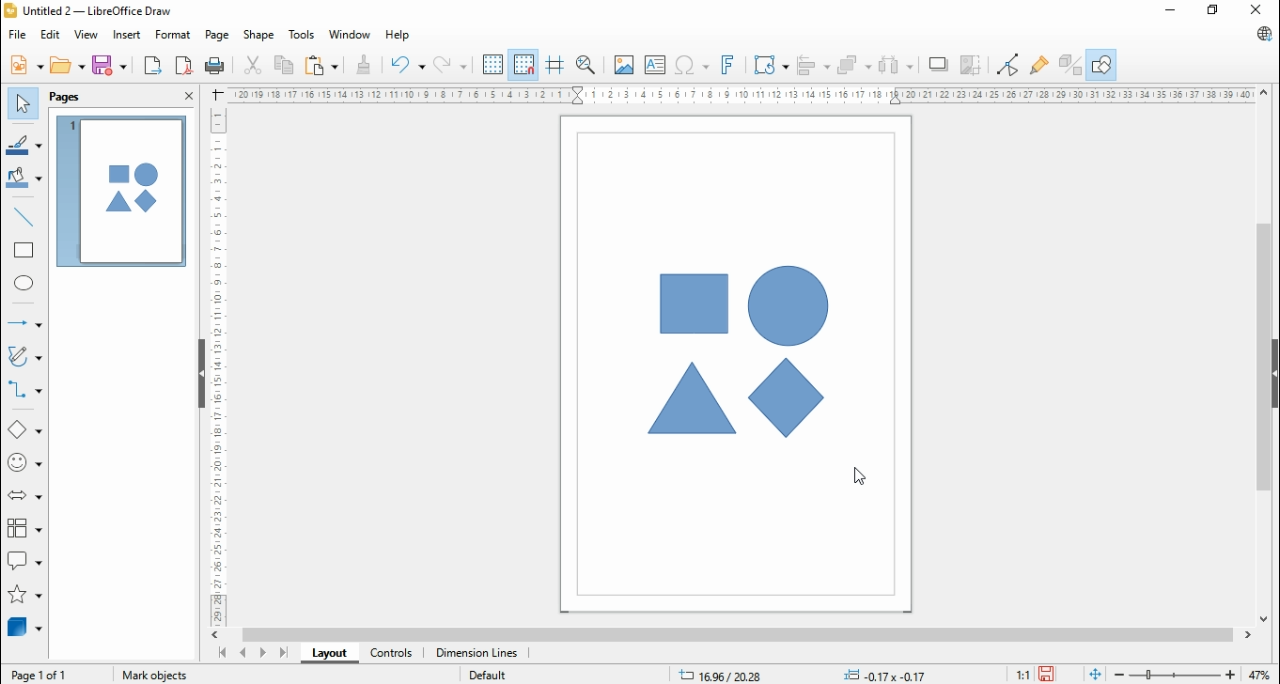 The image size is (1280, 684). Describe the element at coordinates (363, 65) in the screenshot. I see `clone formattings` at that location.